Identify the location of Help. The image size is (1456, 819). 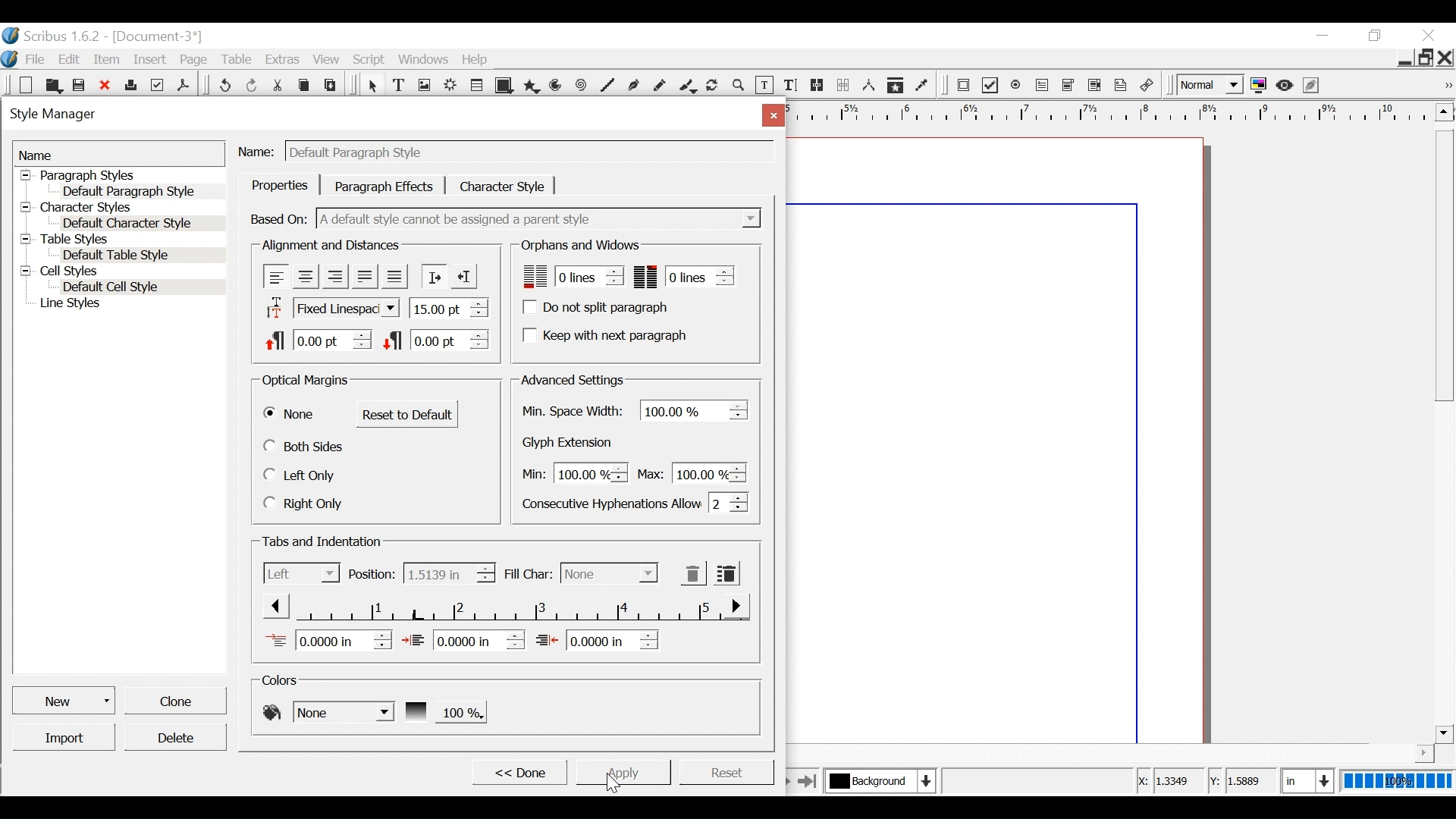
(479, 59).